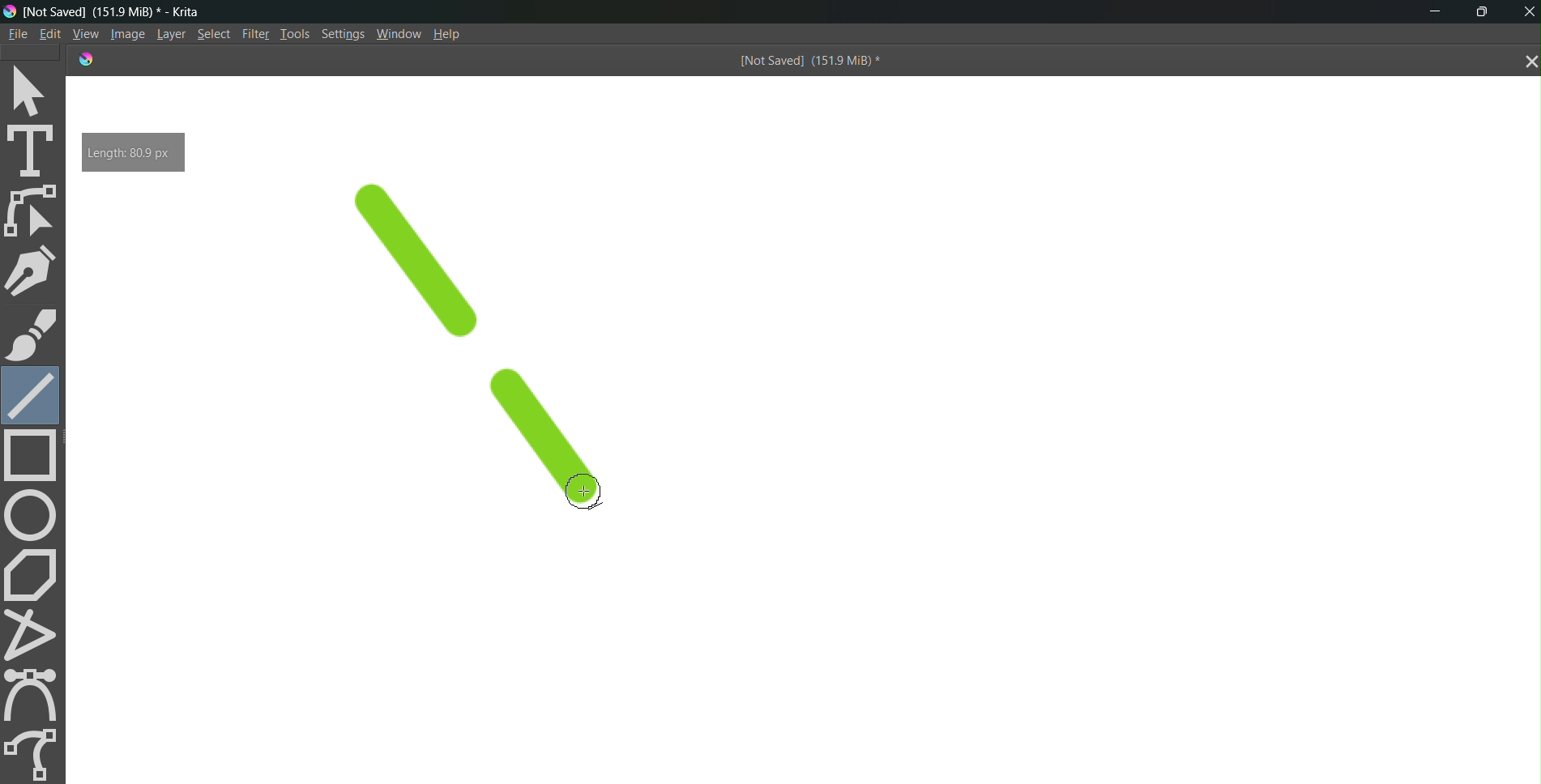  Describe the element at coordinates (1487, 10) in the screenshot. I see `maximize` at that location.